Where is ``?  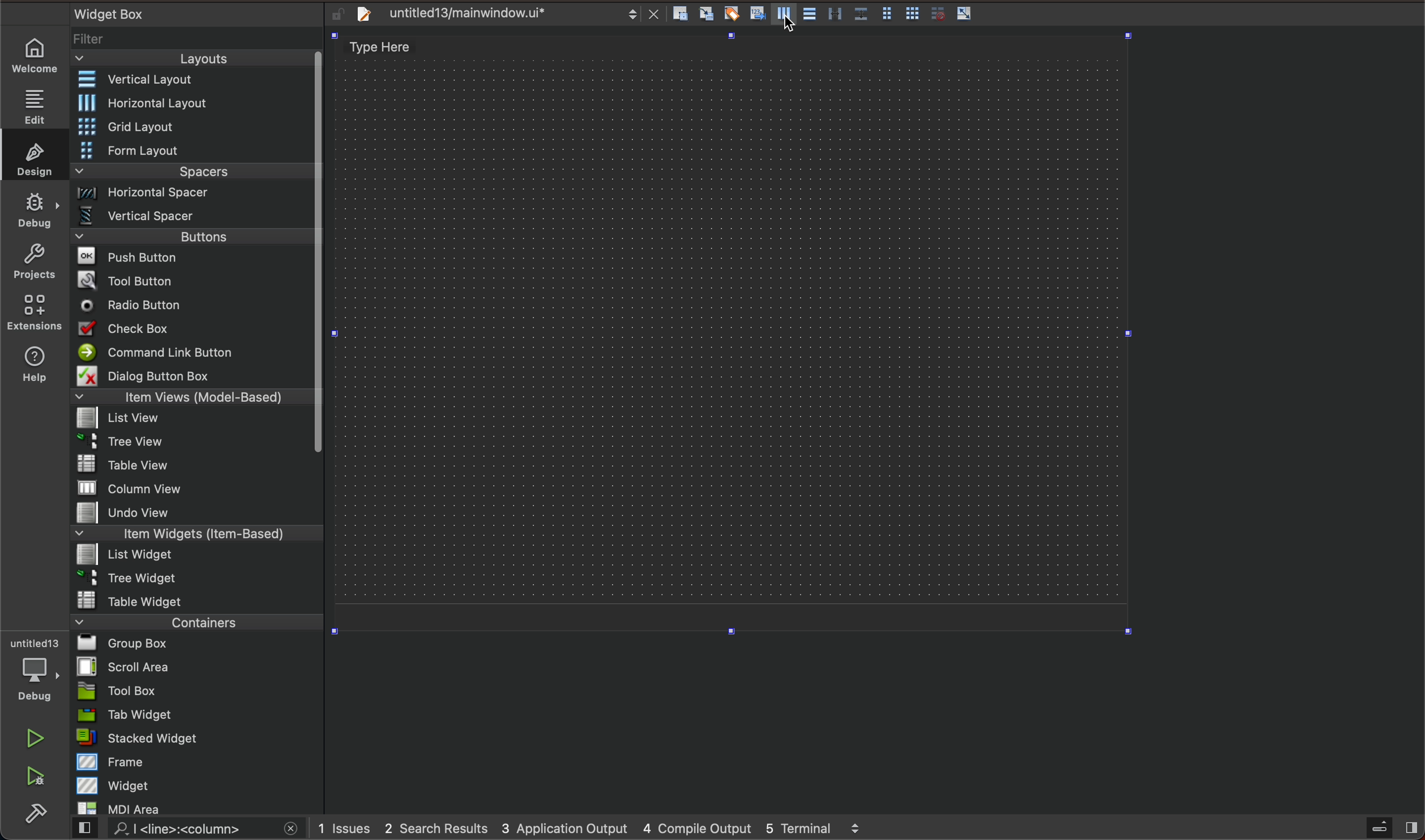  is located at coordinates (861, 13).